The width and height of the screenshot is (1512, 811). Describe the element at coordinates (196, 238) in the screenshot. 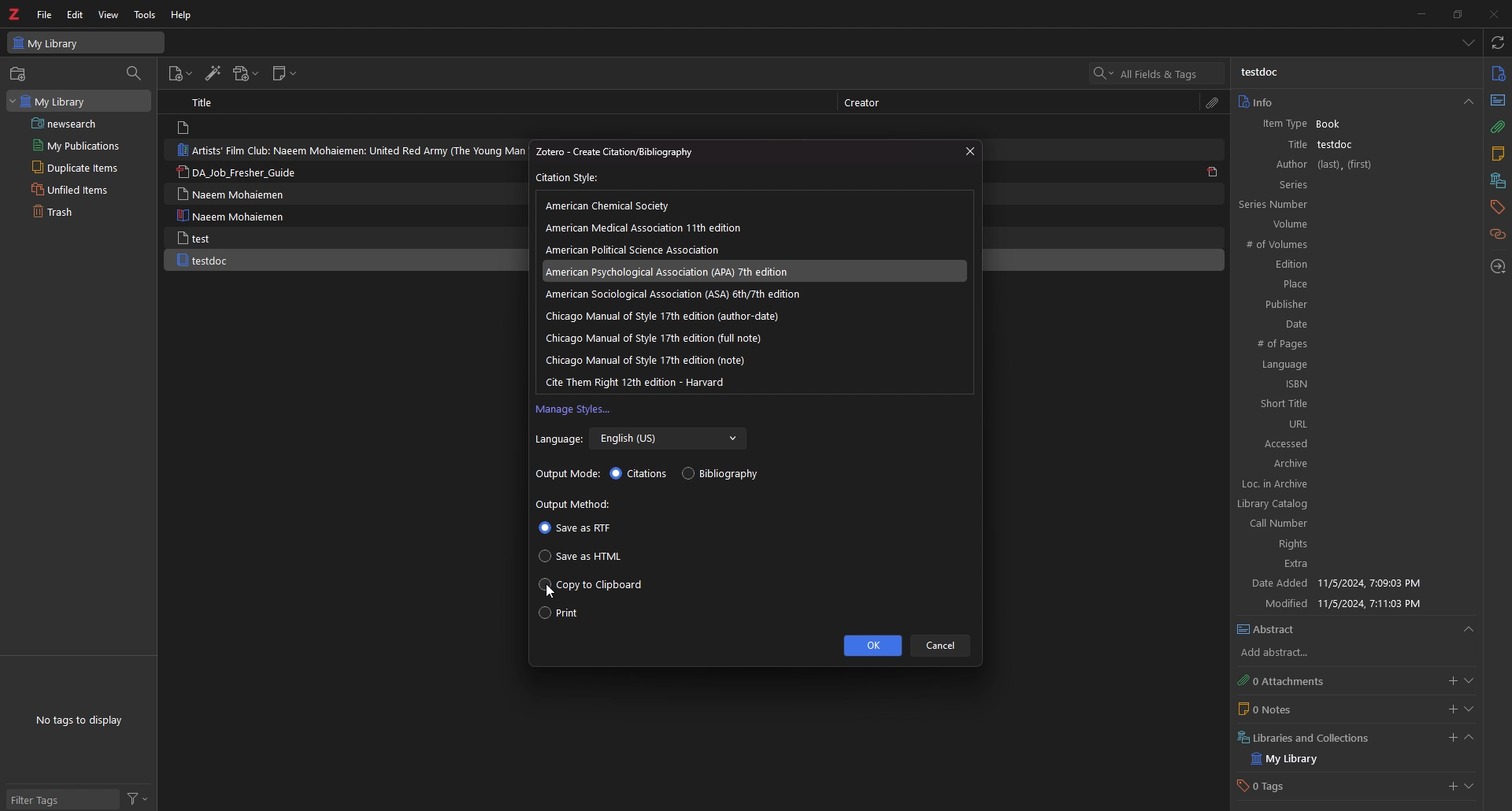

I see `test` at that location.